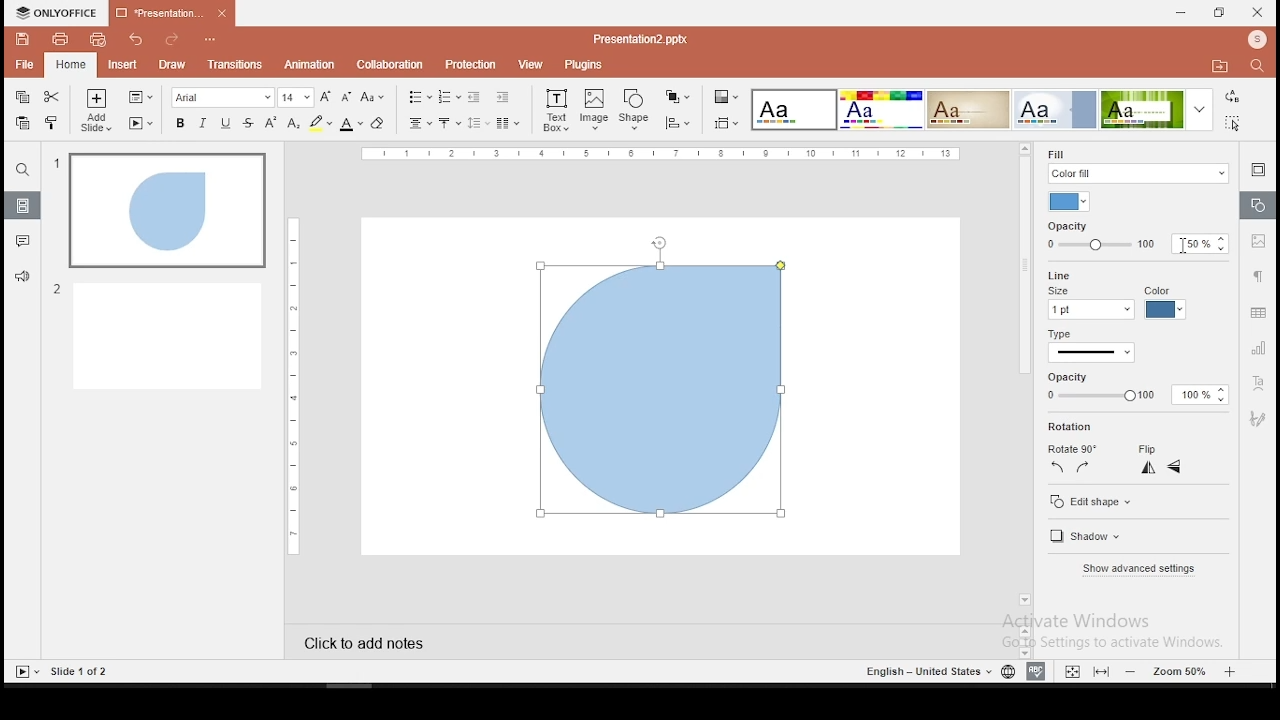 This screenshot has width=1280, height=720. I want to click on paragraph settings, so click(1258, 276).